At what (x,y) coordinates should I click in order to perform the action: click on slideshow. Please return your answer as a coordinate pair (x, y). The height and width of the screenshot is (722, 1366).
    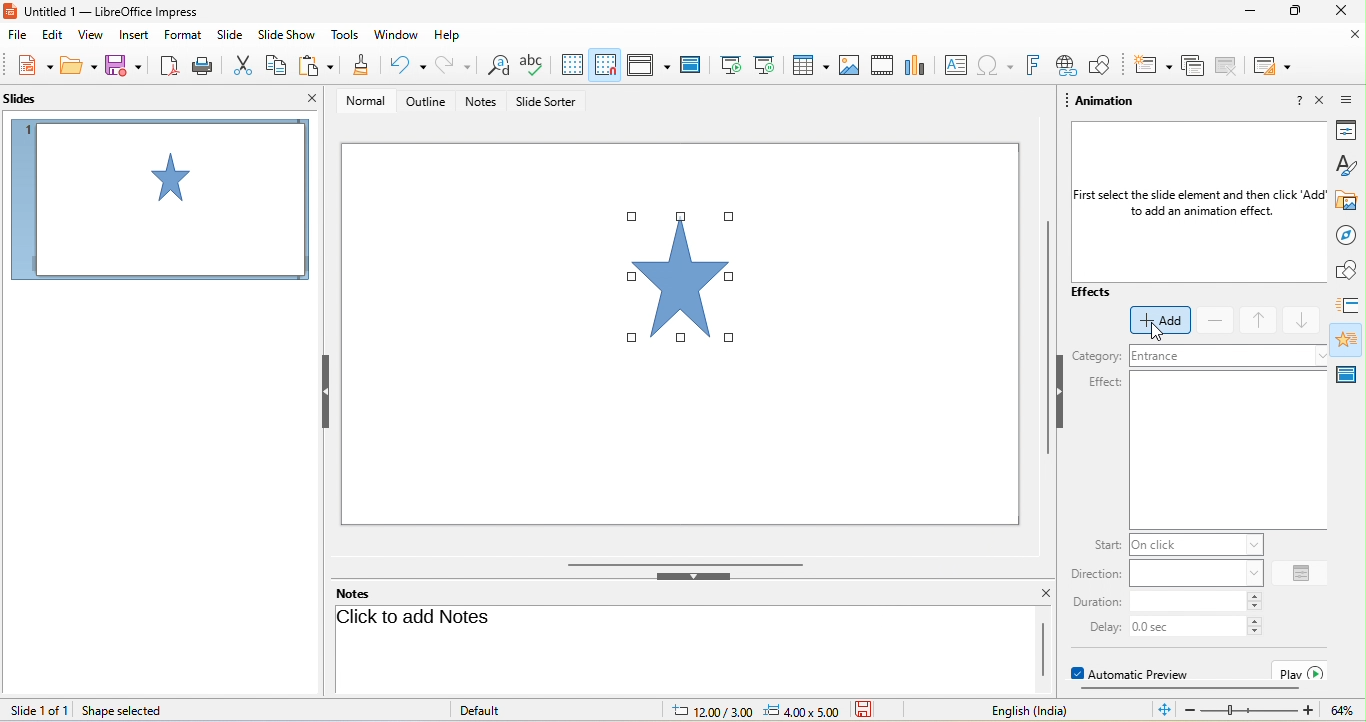
    Looking at the image, I should click on (286, 36).